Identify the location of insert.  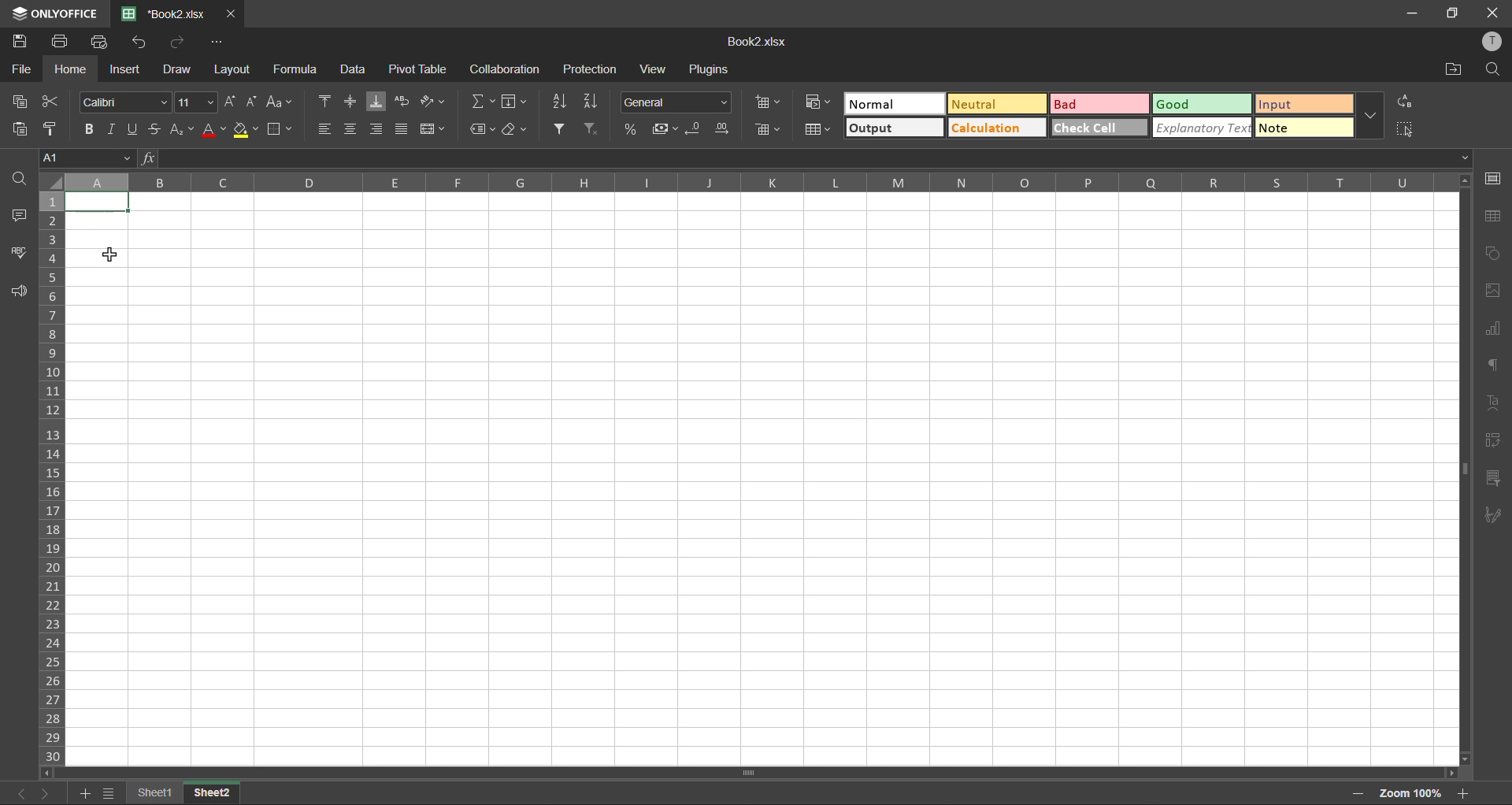
(123, 69).